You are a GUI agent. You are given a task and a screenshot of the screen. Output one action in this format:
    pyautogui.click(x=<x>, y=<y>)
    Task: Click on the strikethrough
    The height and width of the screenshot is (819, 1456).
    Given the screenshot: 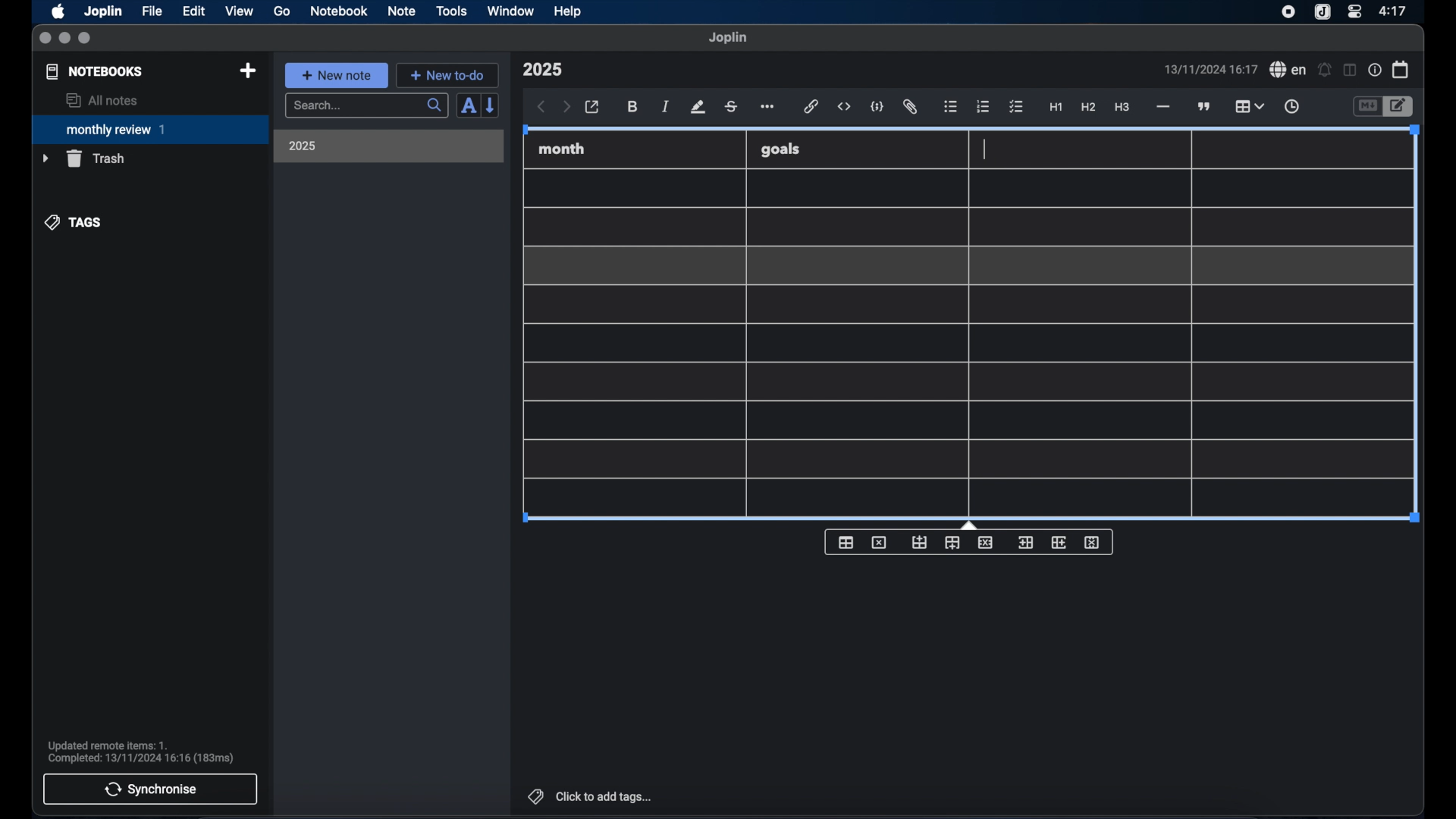 What is the action you would take?
    pyautogui.click(x=730, y=107)
    